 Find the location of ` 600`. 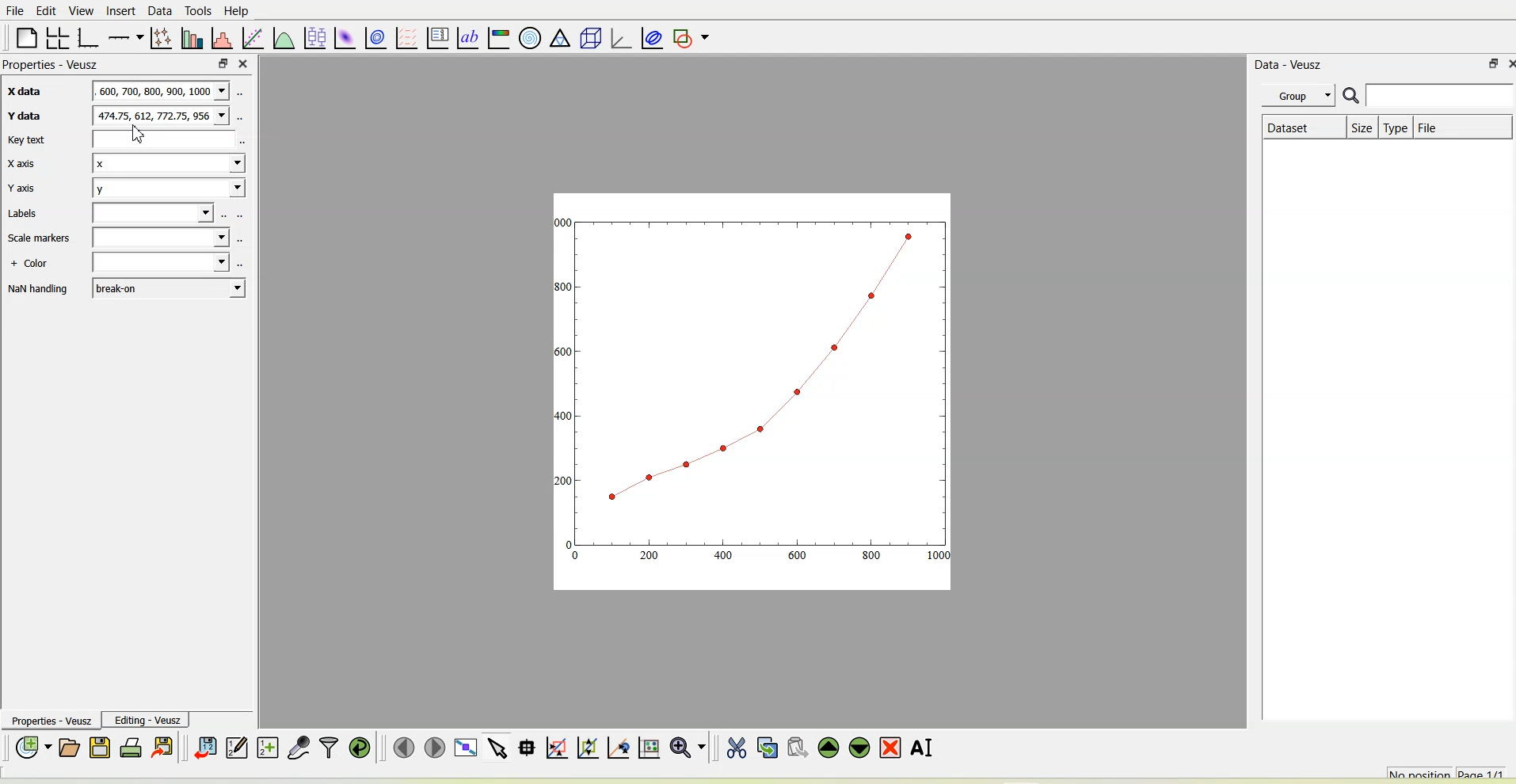

 600 is located at coordinates (798, 556).